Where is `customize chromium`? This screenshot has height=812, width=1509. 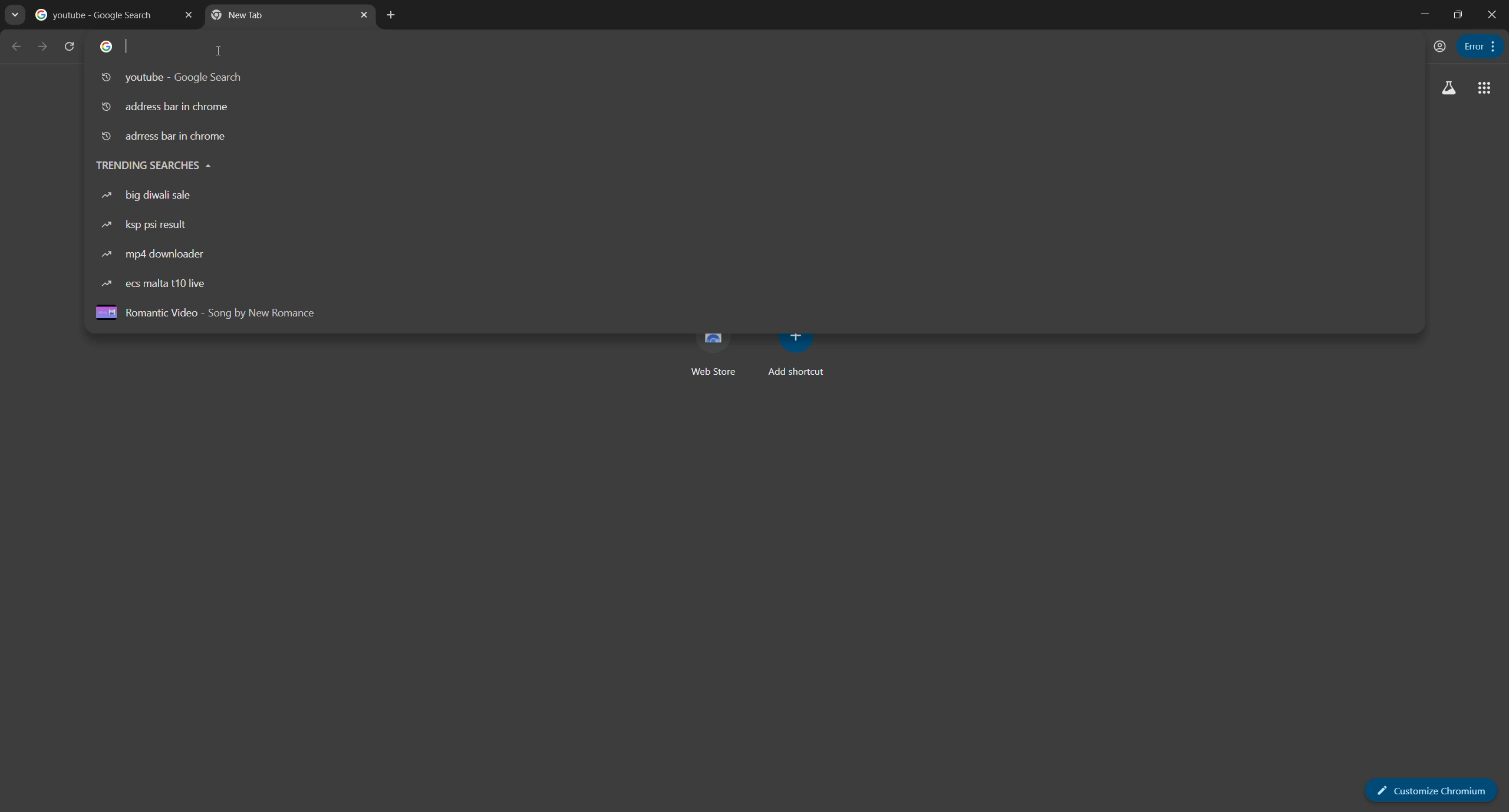 customize chromium is located at coordinates (1426, 787).